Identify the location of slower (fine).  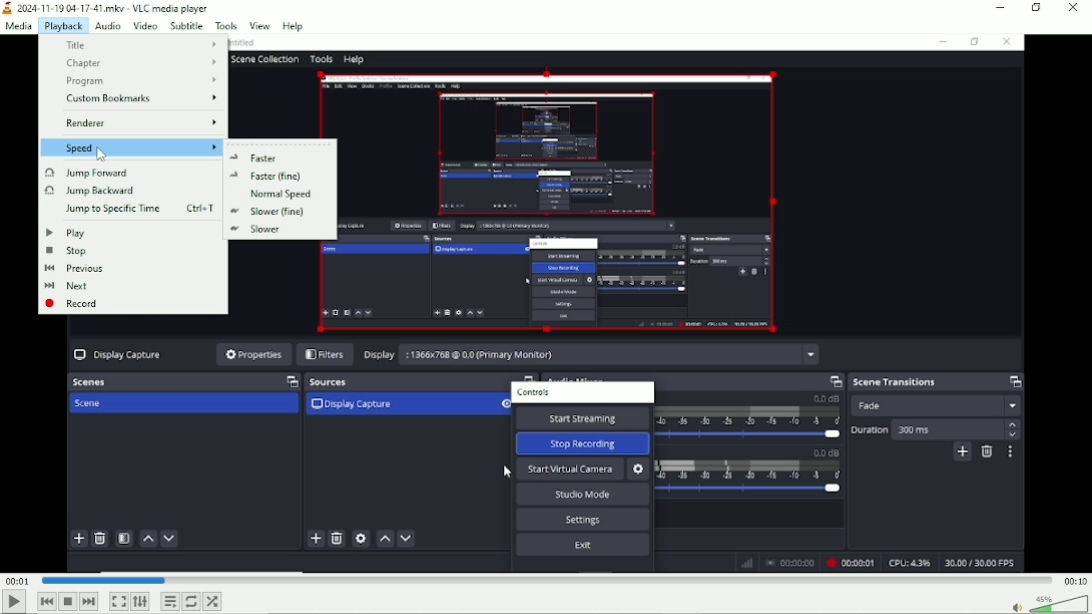
(280, 212).